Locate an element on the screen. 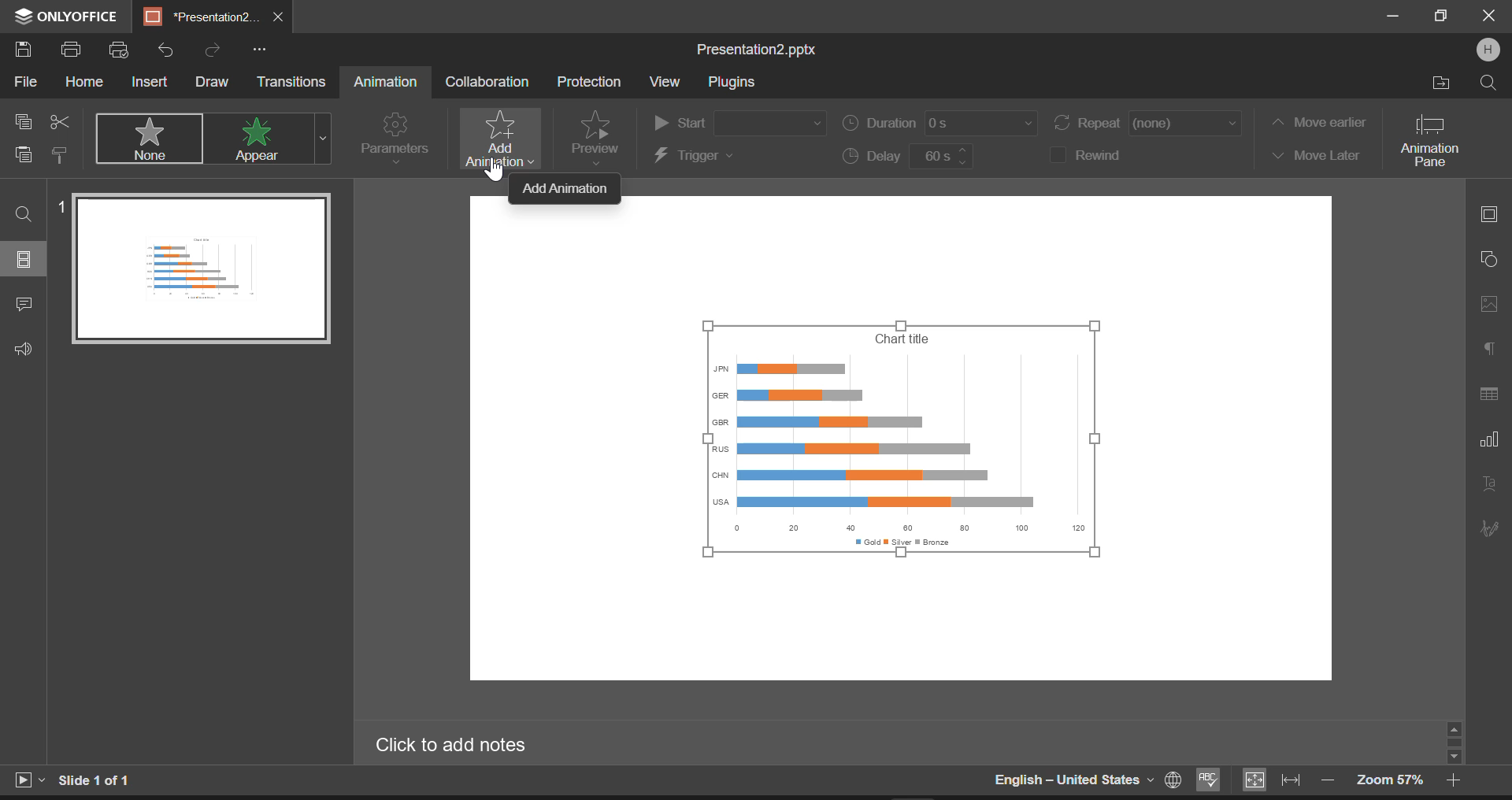  Appear is located at coordinates (261, 139).